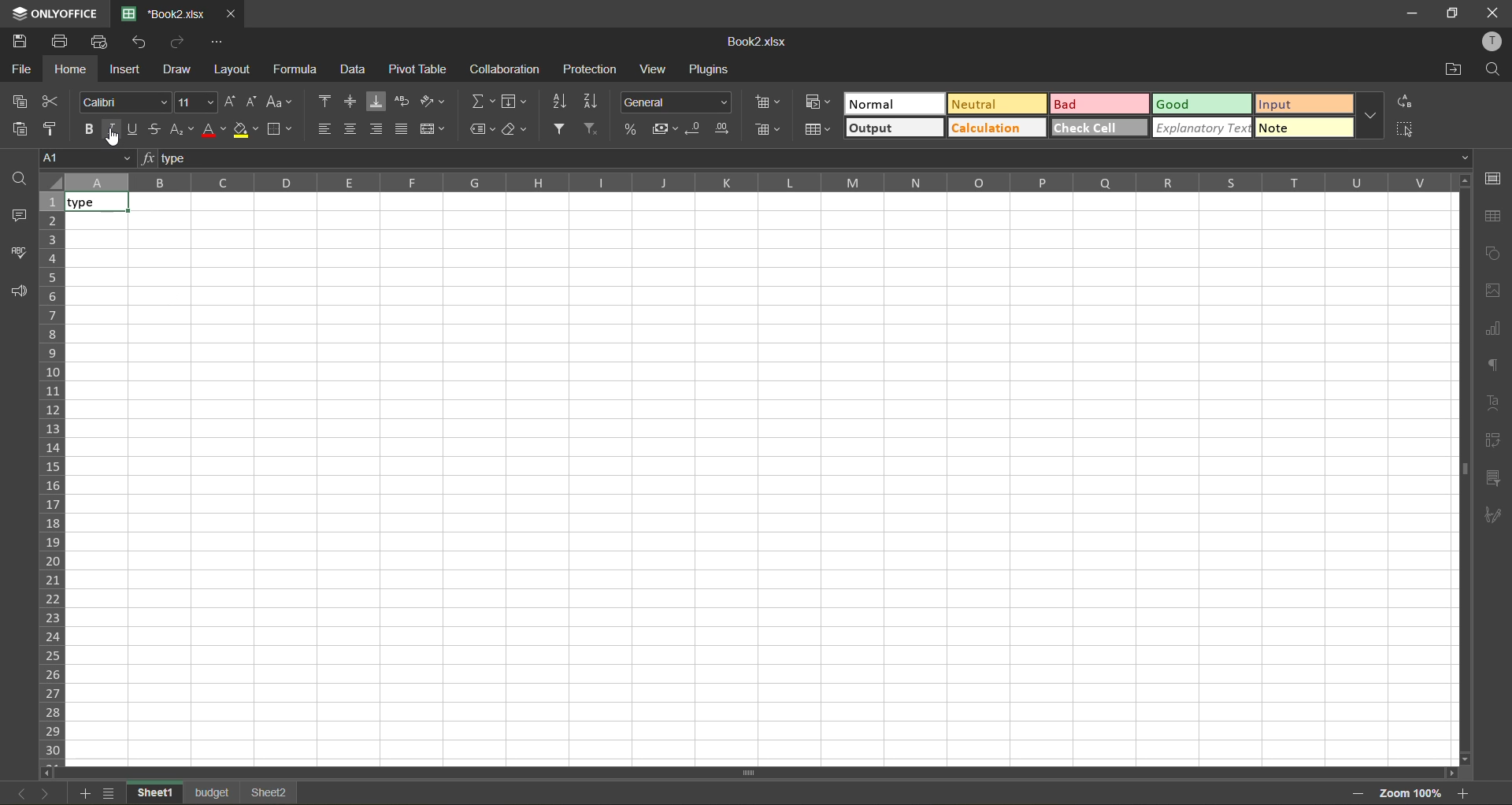 Image resolution: width=1512 pixels, height=805 pixels. Describe the element at coordinates (50, 98) in the screenshot. I see `cut` at that location.